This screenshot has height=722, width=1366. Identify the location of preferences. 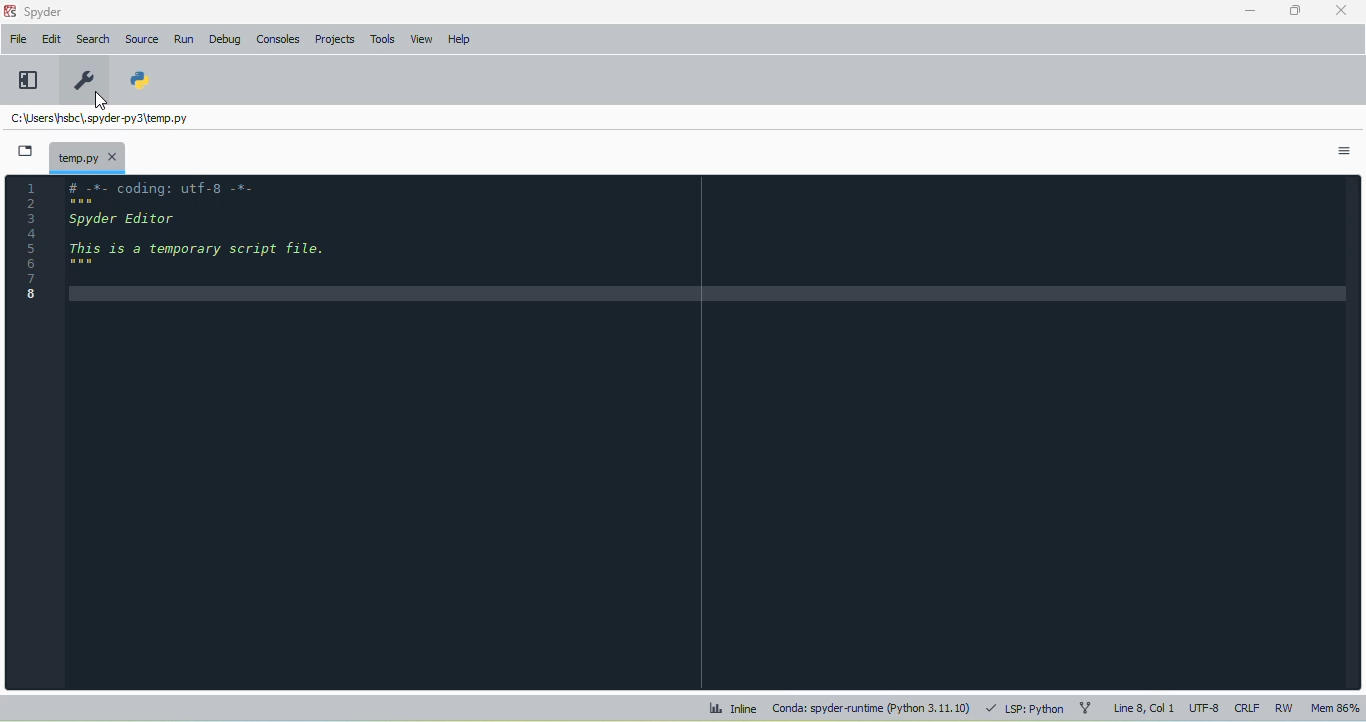
(86, 80).